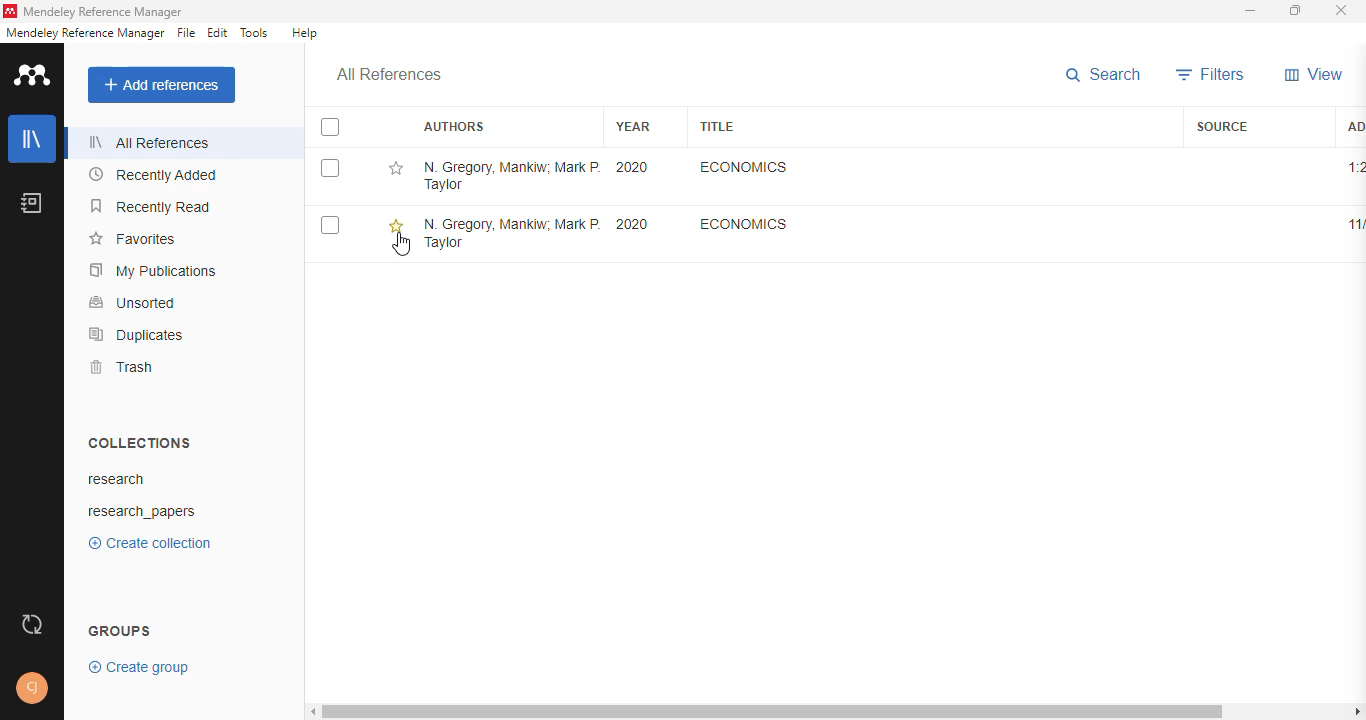 The height and width of the screenshot is (720, 1366). What do you see at coordinates (1314, 75) in the screenshot?
I see `view` at bounding box center [1314, 75].